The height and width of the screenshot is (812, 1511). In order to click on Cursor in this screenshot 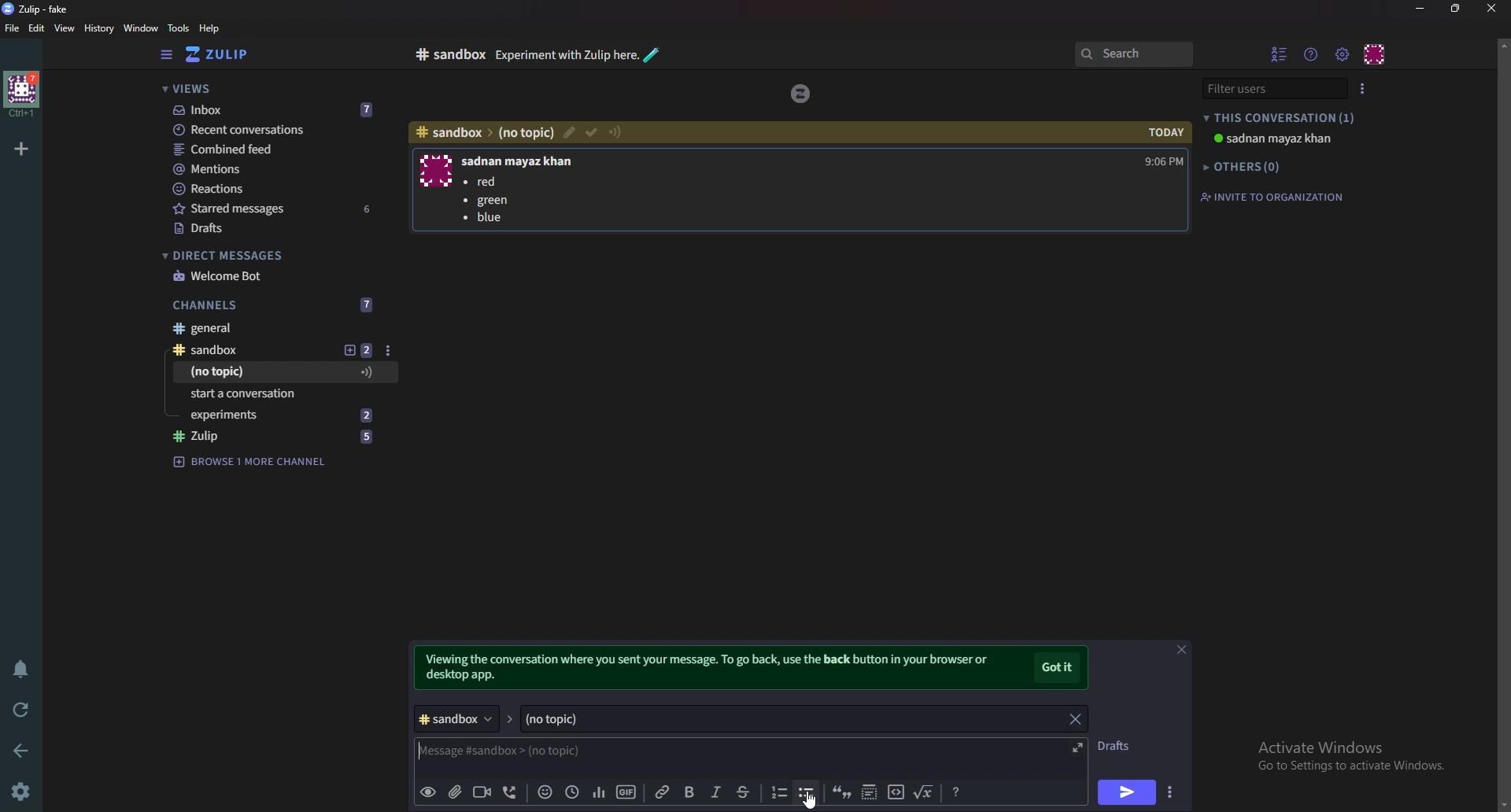, I will do `click(814, 799)`.